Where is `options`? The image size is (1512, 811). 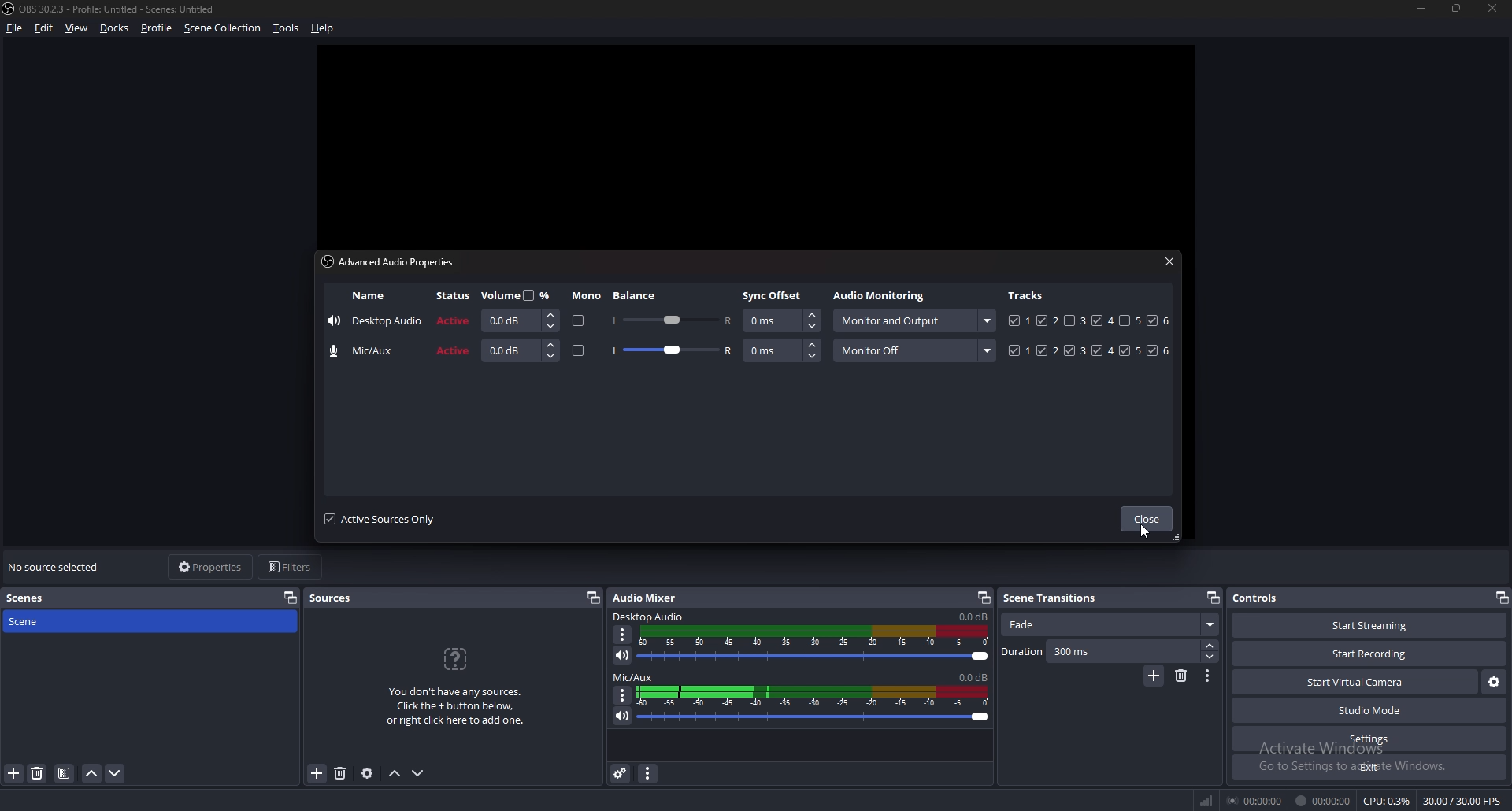 options is located at coordinates (623, 694).